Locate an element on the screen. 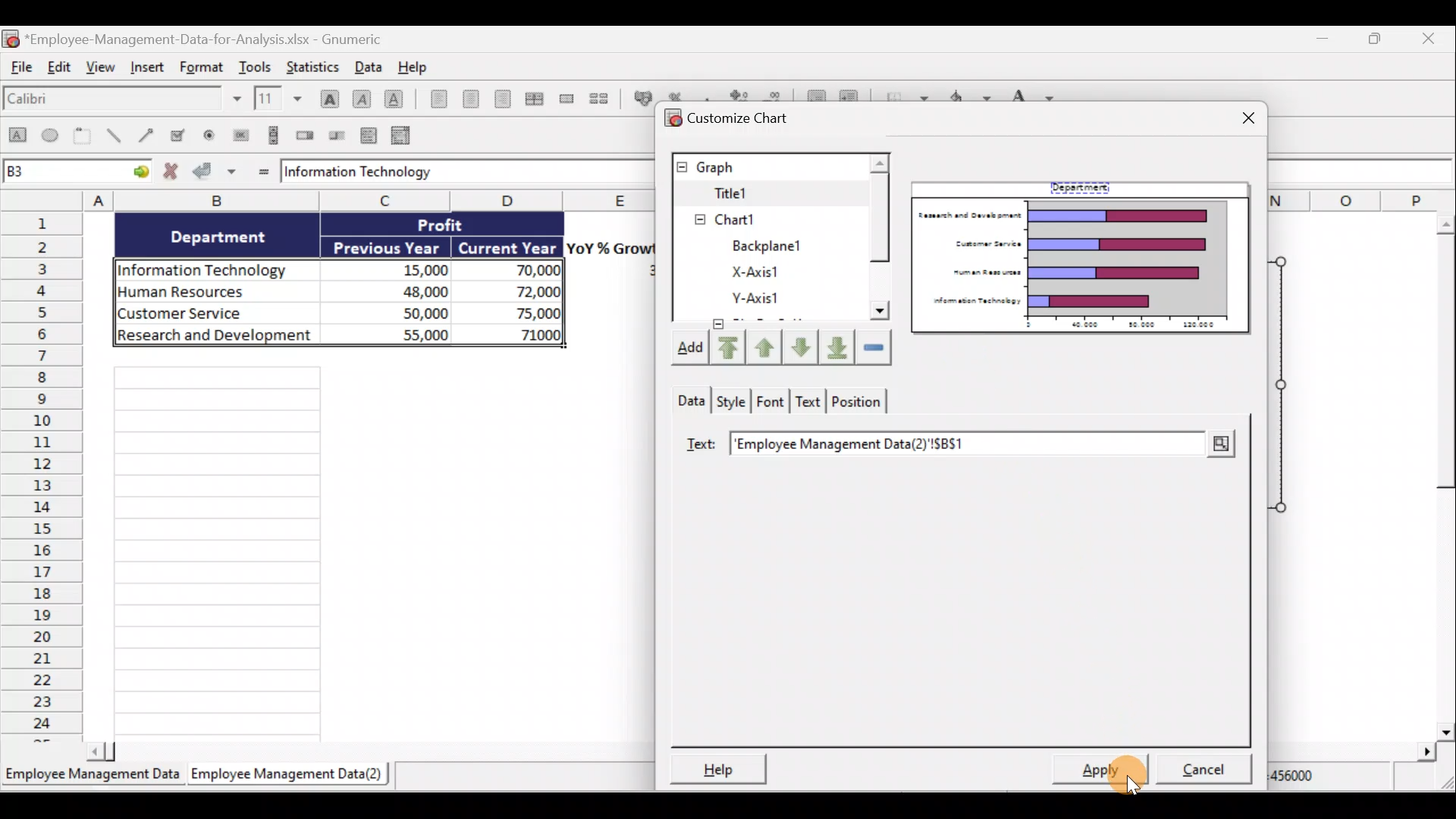 The height and width of the screenshot is (819, 1456). Previous Year is located at coordinates (388, 245).